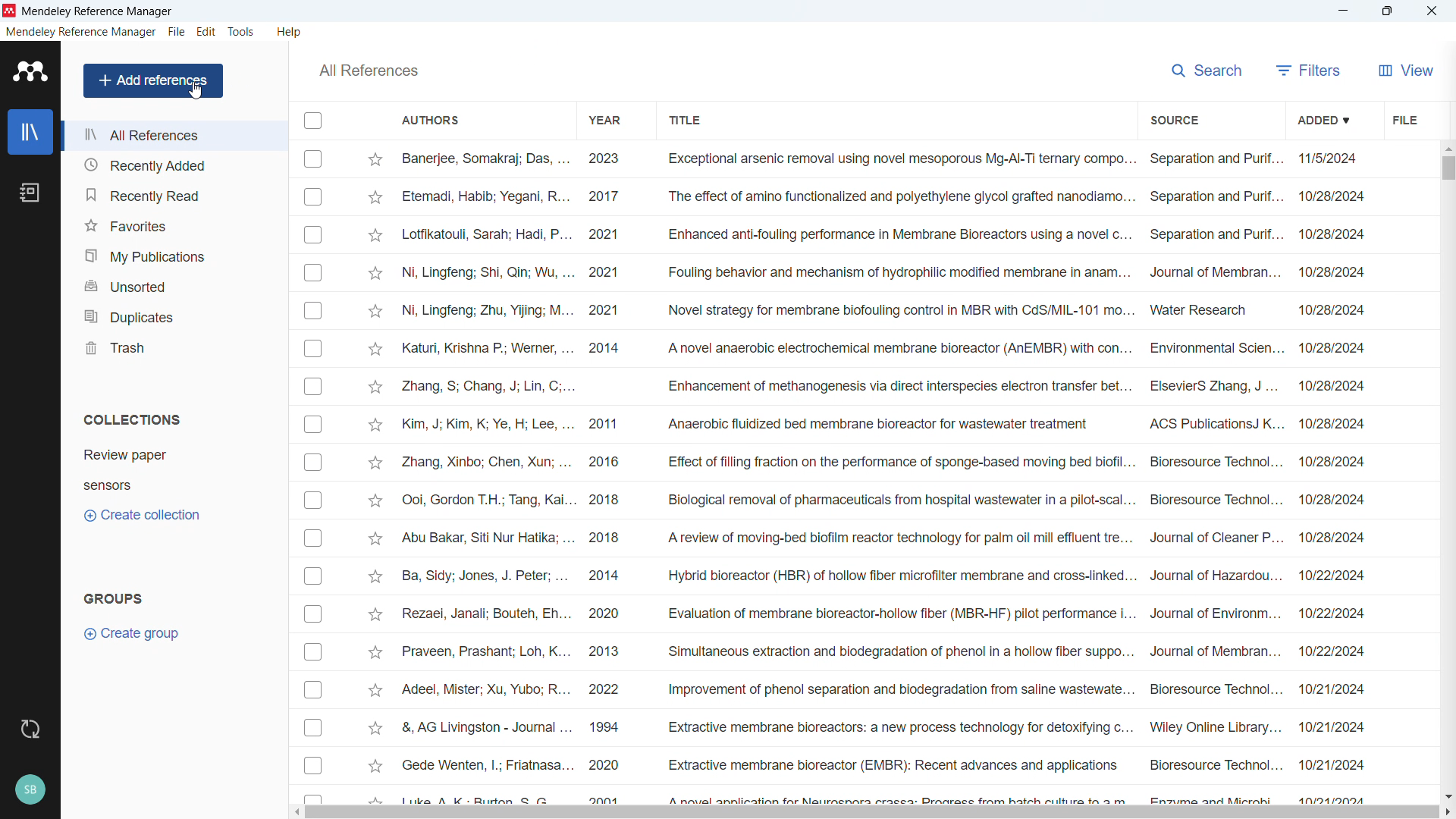 The image size is (1456, 819). What do you see at coordinates (368, 71) in the screenshot?
I see ` All references ` at bounding box center [368, 71].